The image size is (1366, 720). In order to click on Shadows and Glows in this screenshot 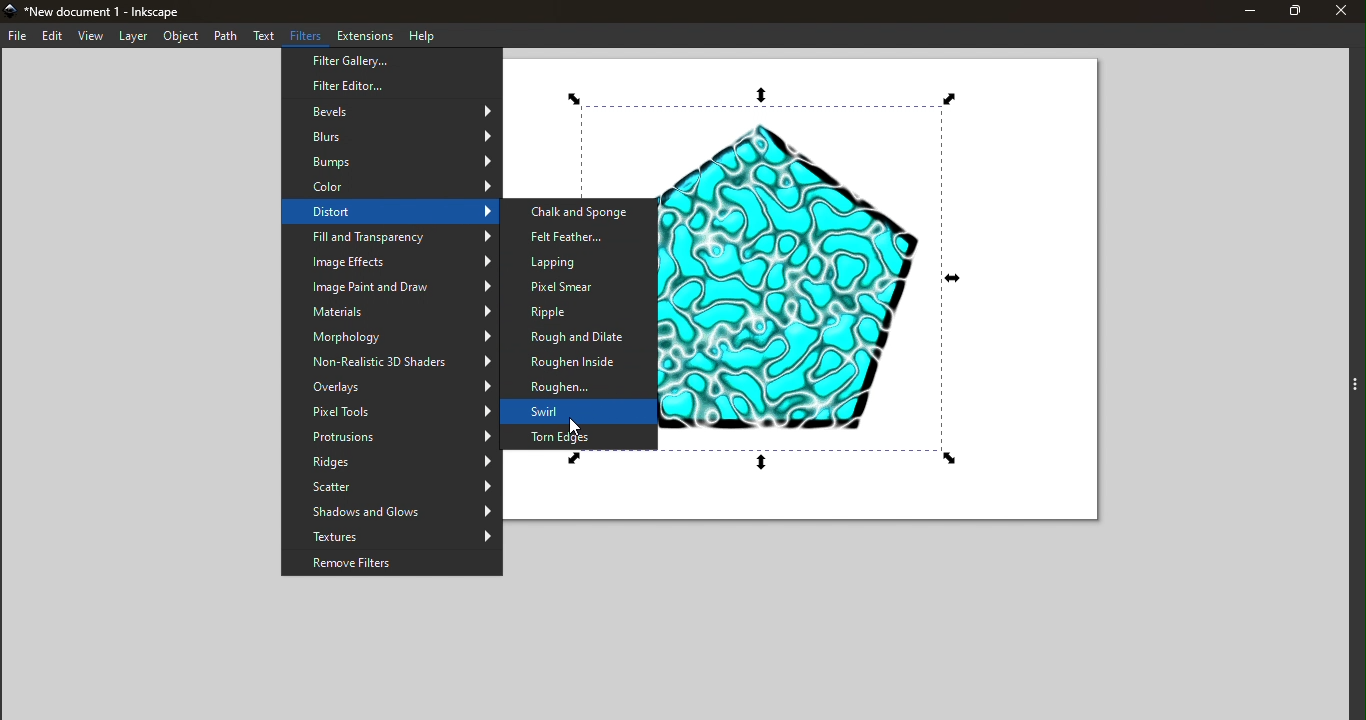, I will do `click(393, 511)`.